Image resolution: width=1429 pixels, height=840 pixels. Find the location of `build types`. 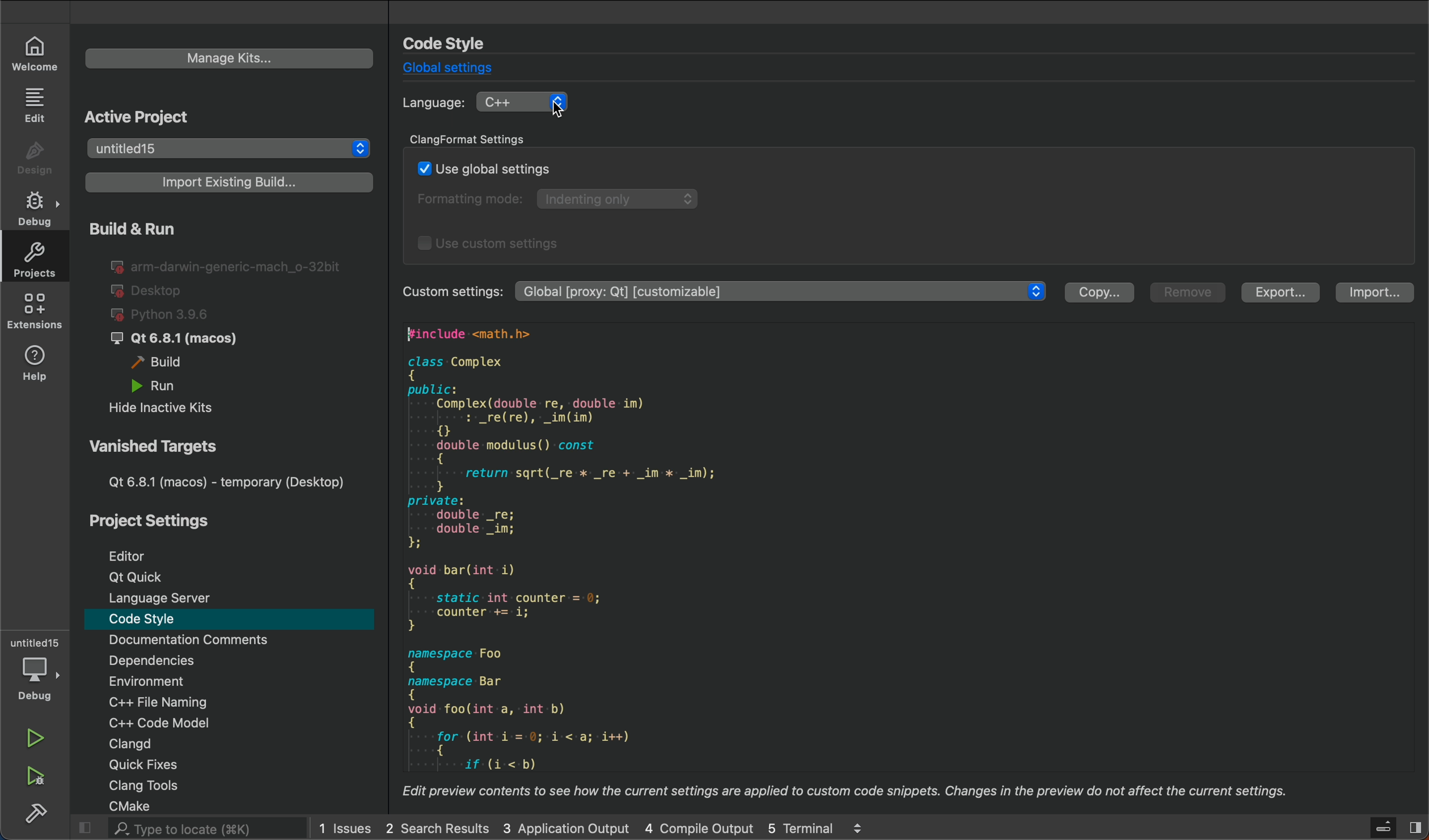

build types is located at coordinates (219, 320).